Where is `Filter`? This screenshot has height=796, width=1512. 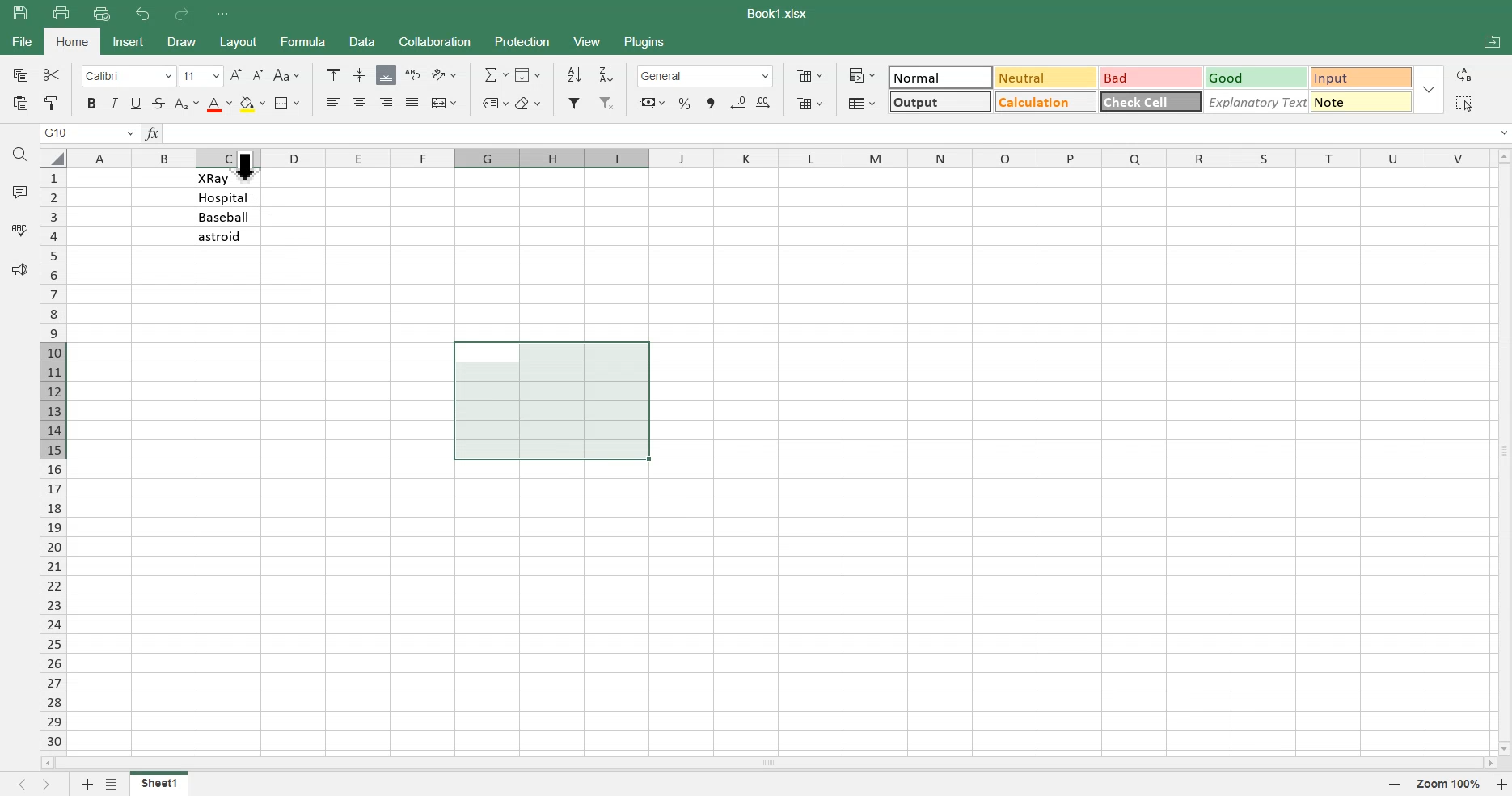
Filter is located at coordinates (575, 103).